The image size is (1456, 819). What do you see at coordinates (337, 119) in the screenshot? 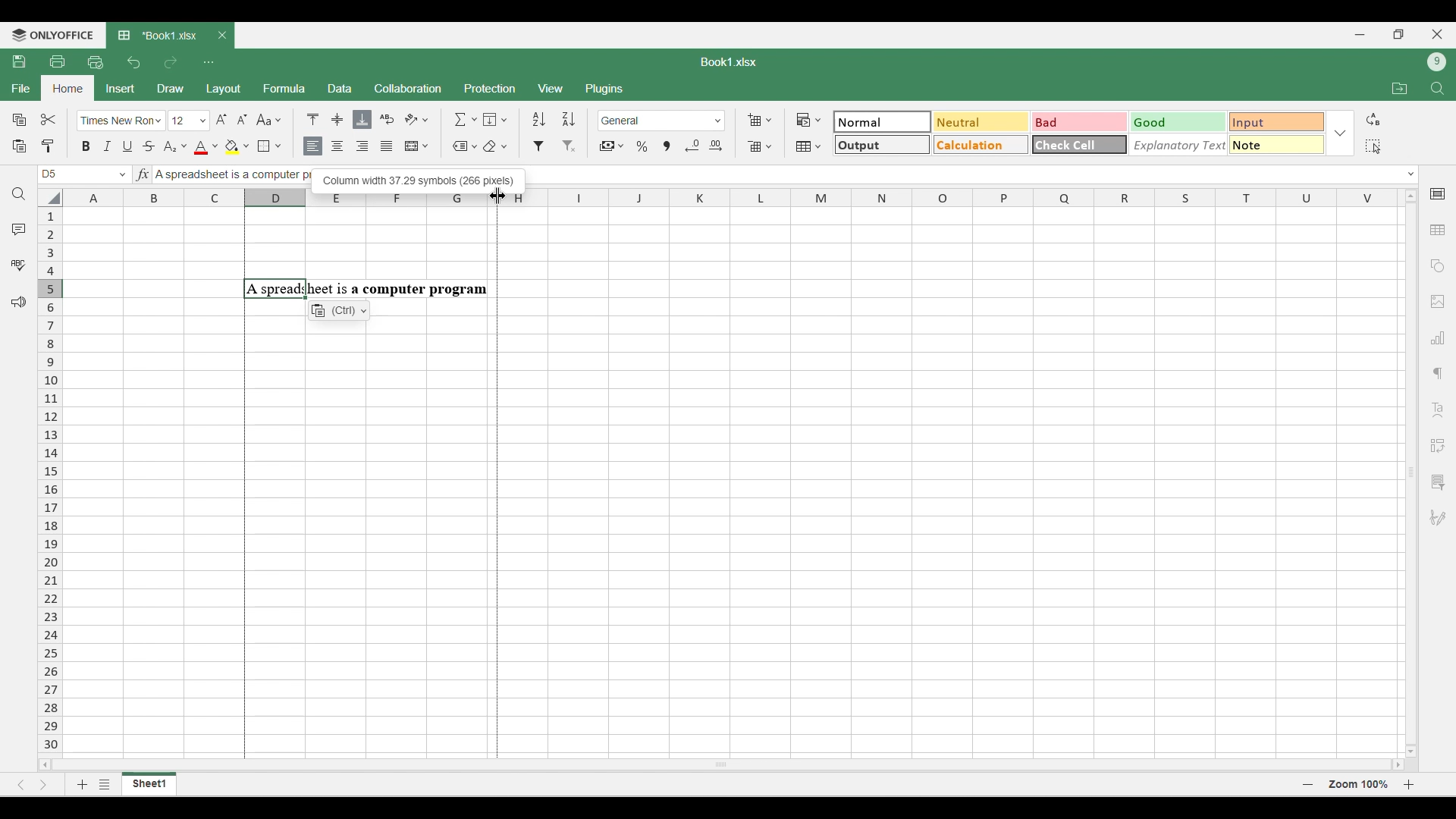
I see `Position alignment options` at bounding box center [337, 119].